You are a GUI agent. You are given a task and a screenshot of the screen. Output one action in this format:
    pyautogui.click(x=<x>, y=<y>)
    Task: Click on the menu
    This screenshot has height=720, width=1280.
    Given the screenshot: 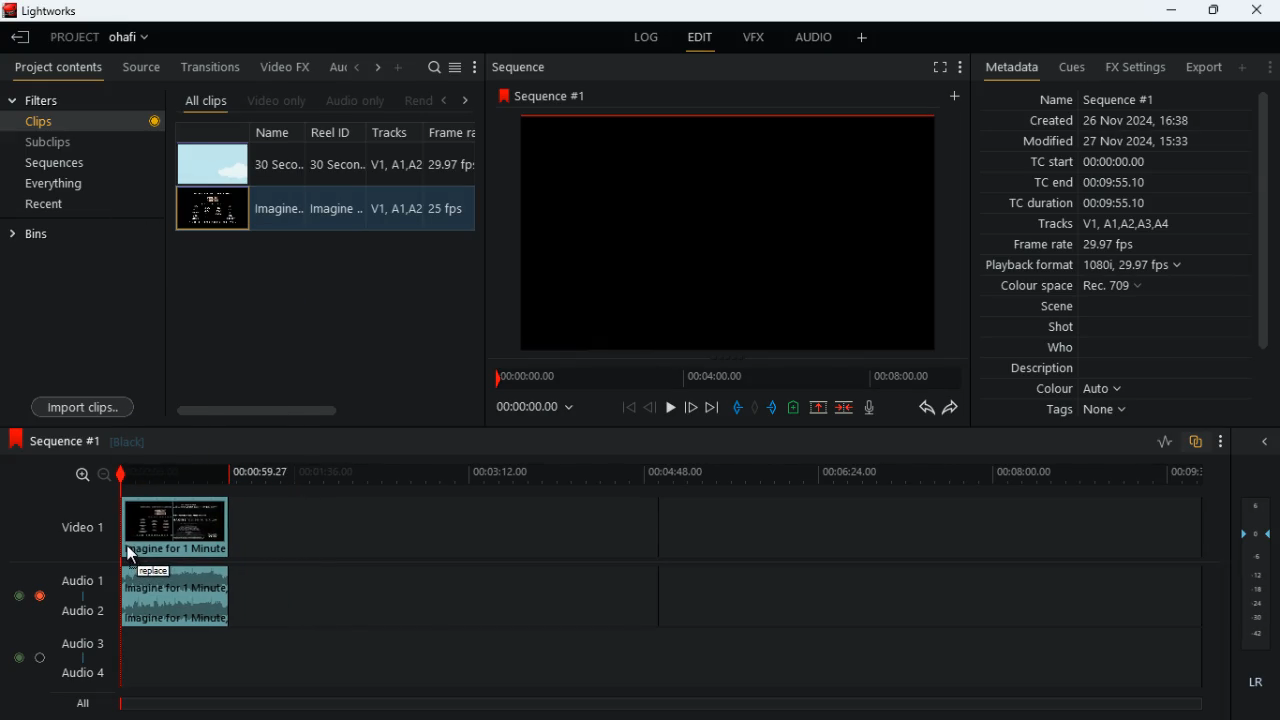 What is the action you would take?
    pyautogui.click(x=457, y=65)
    